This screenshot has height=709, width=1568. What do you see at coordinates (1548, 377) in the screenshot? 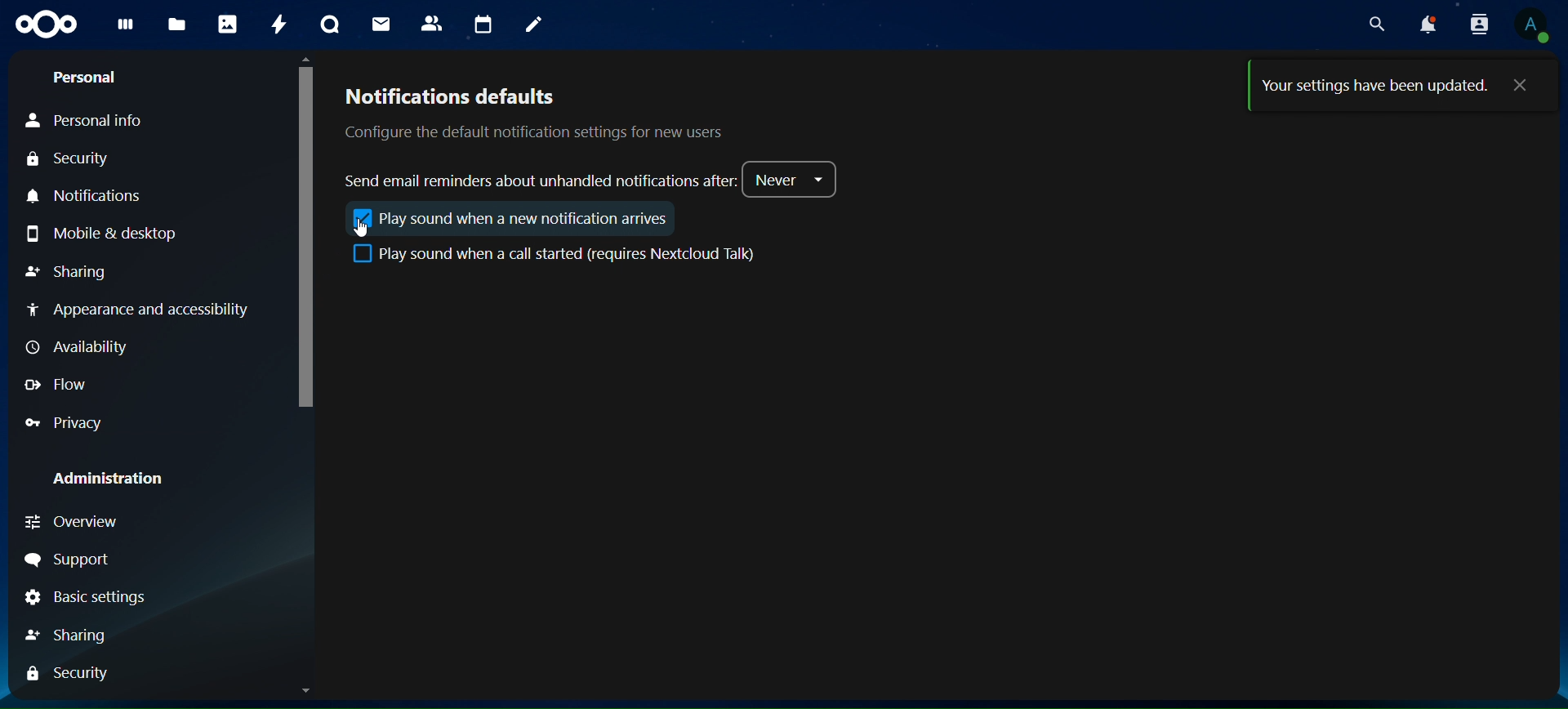
I see `Scrollbar` at bounding box center [1548, 377].